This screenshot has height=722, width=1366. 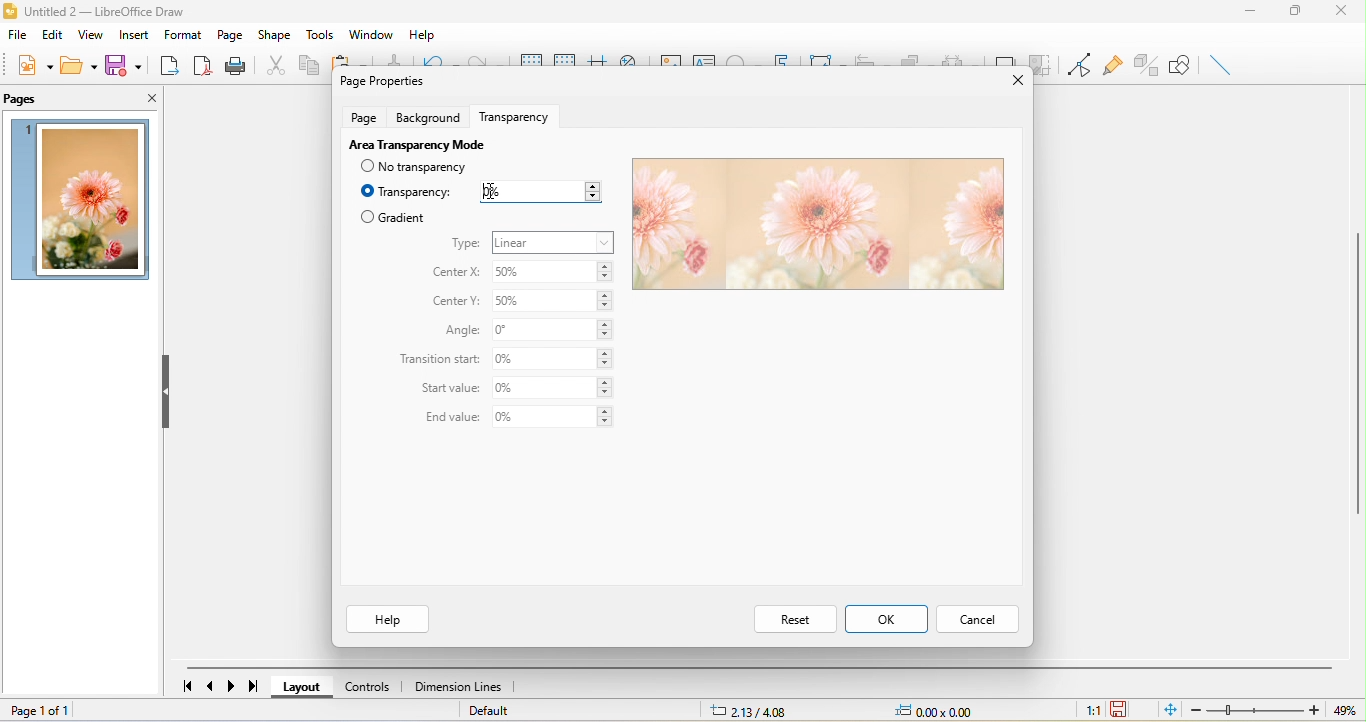 I want to click on edit, so click(x=54, y=34).